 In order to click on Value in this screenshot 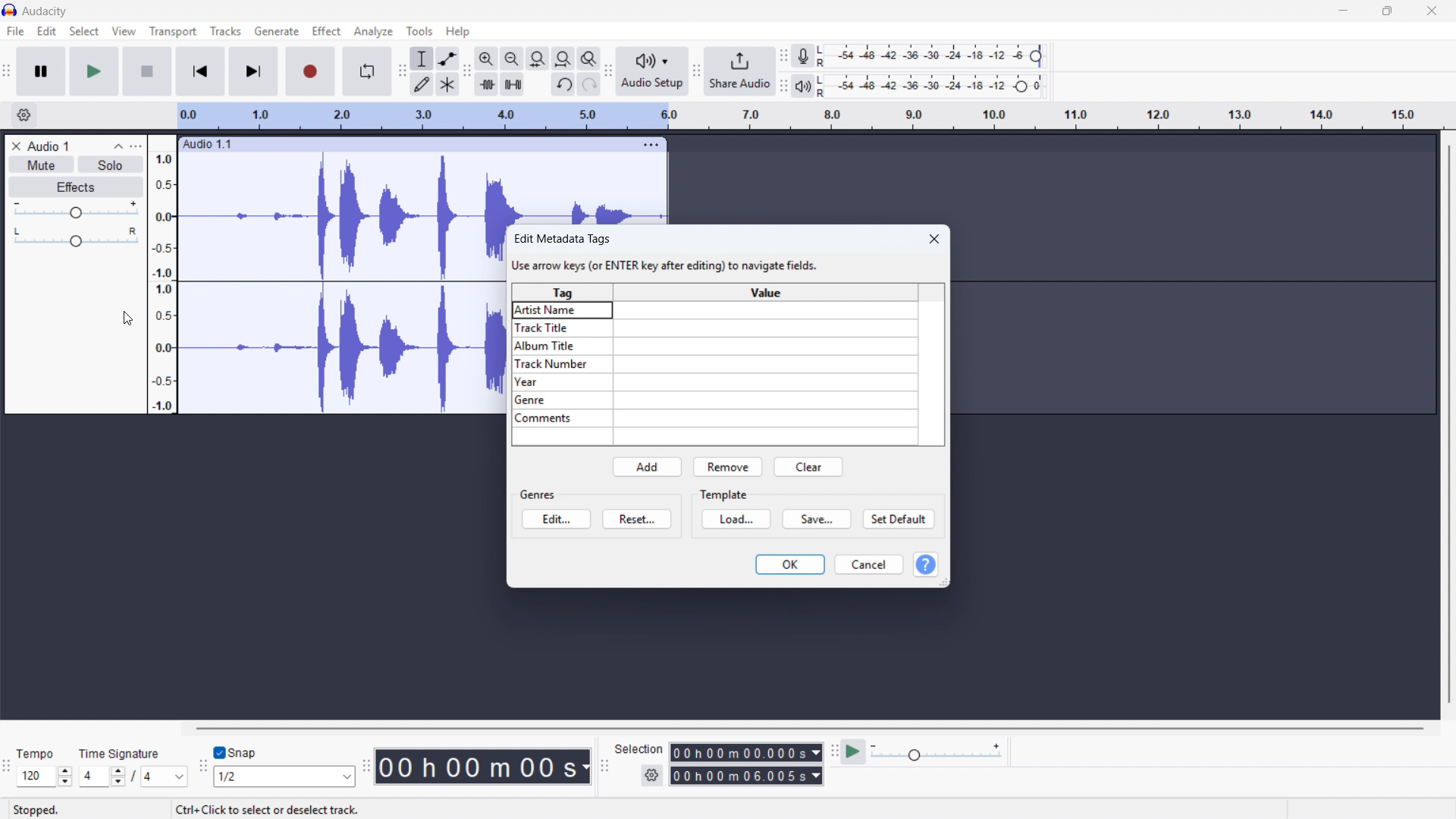, I will do `click(537, 495)`.